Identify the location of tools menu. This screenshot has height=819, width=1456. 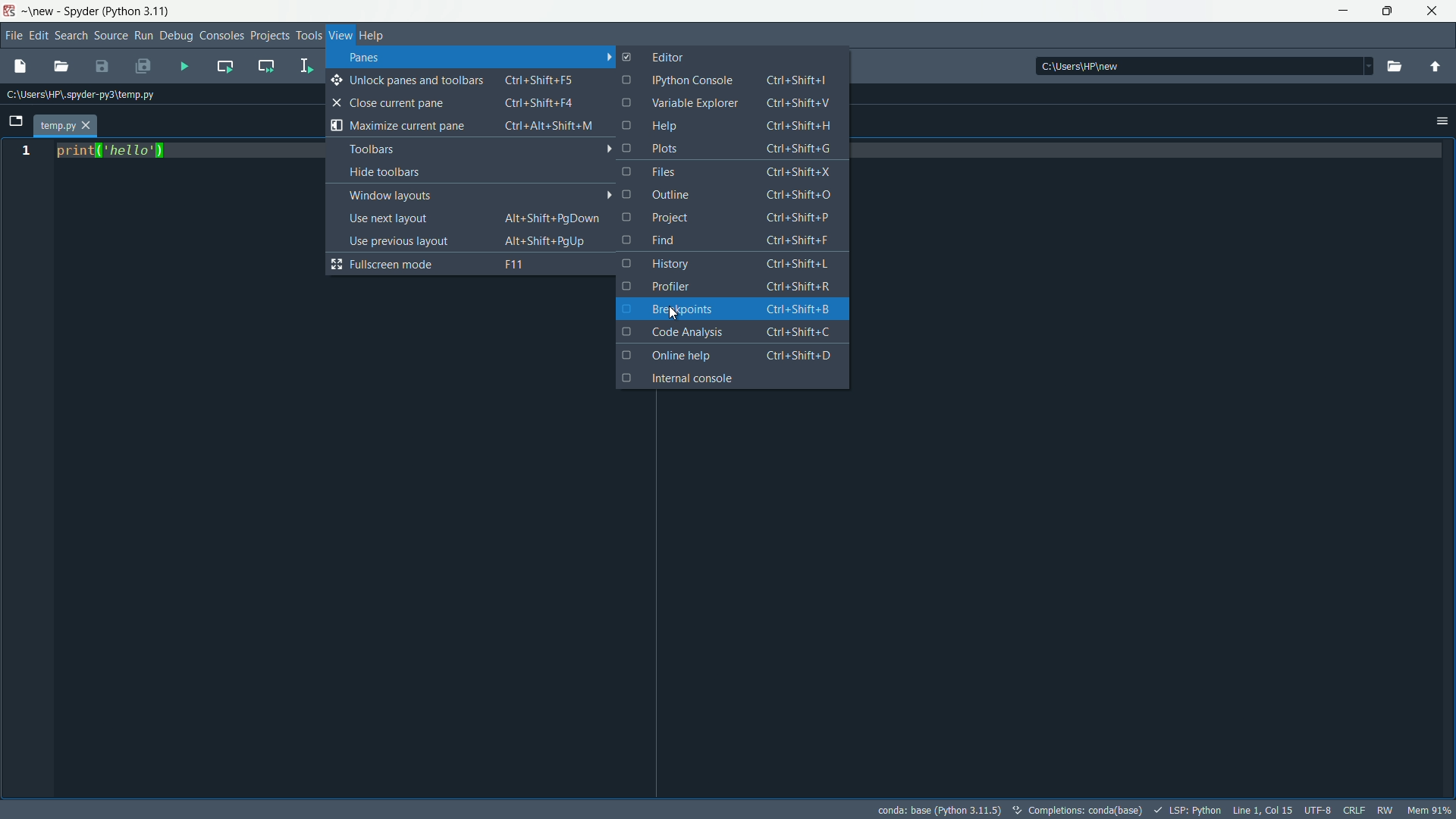
(308, 35).